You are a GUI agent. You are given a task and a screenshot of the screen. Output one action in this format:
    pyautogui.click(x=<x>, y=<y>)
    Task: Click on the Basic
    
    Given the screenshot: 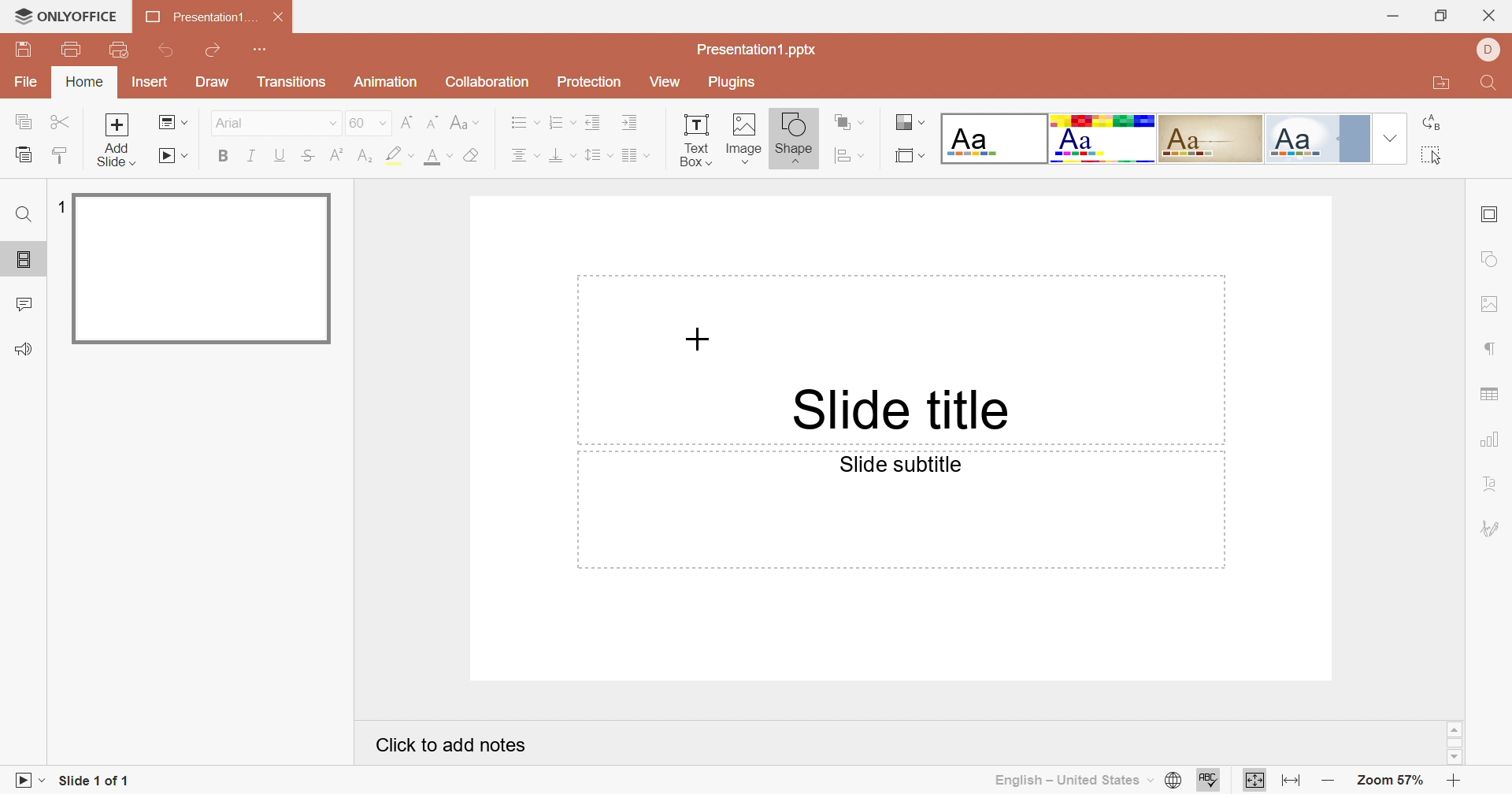 What is the action you would take?
    pyautogui.click(x=1105, y=141)
    